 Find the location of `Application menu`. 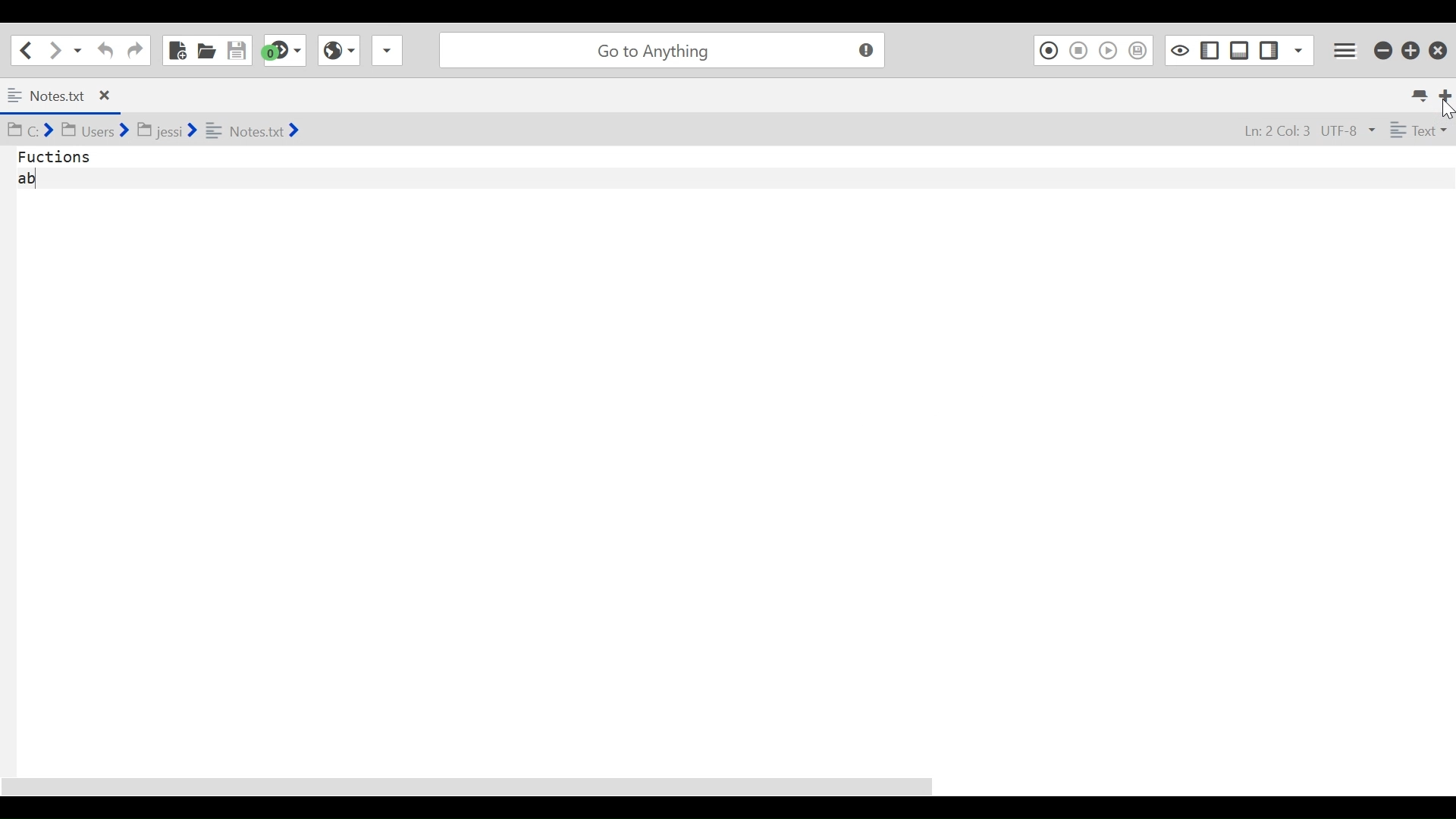

Application menu is located at coordinates (1347, 50).